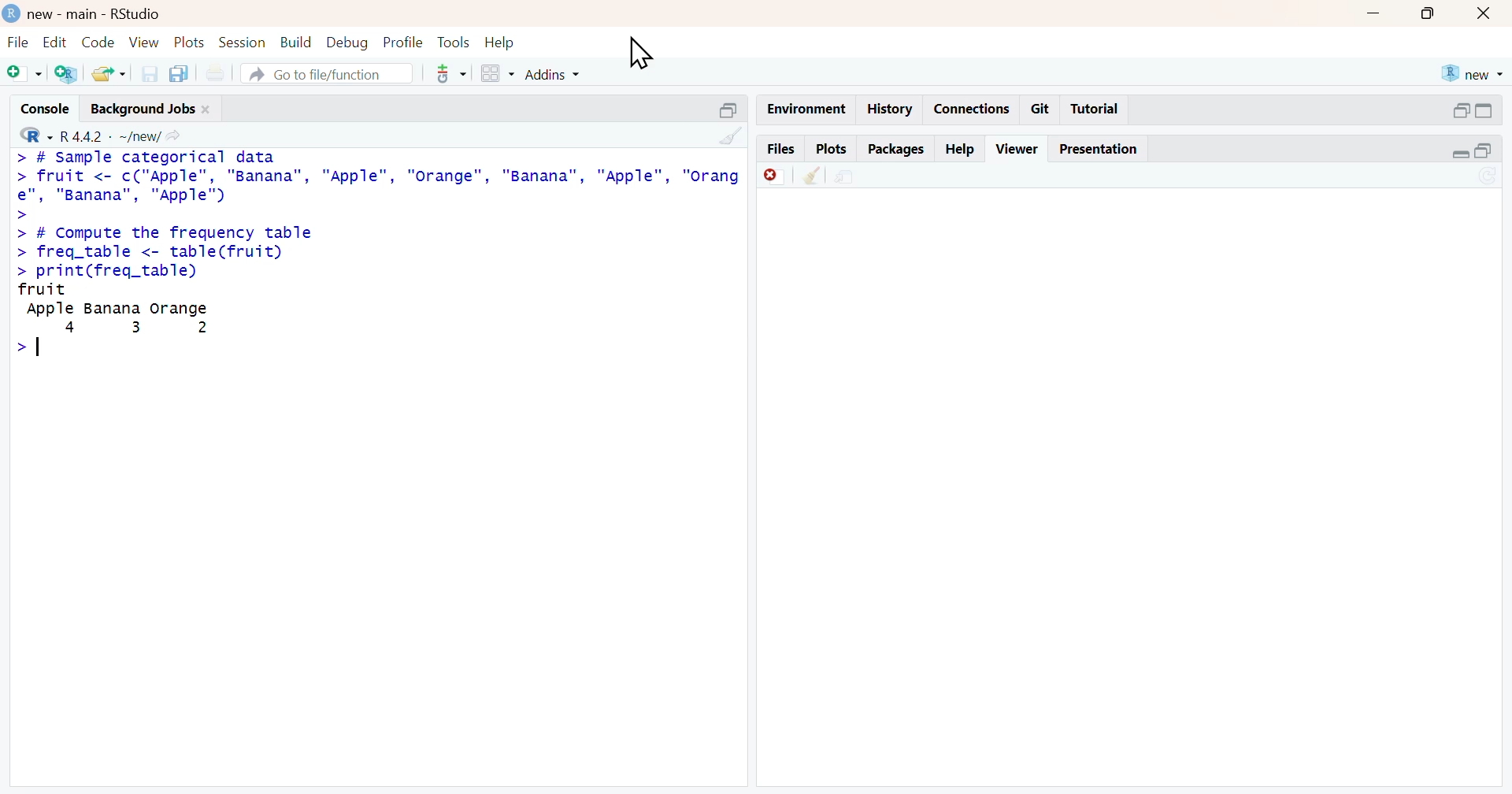 This screenshot has height=794, width=1512. What do you see at coordinates (348, 43) in the screenshot?
I see `debug` at bounding box center [348, 43].